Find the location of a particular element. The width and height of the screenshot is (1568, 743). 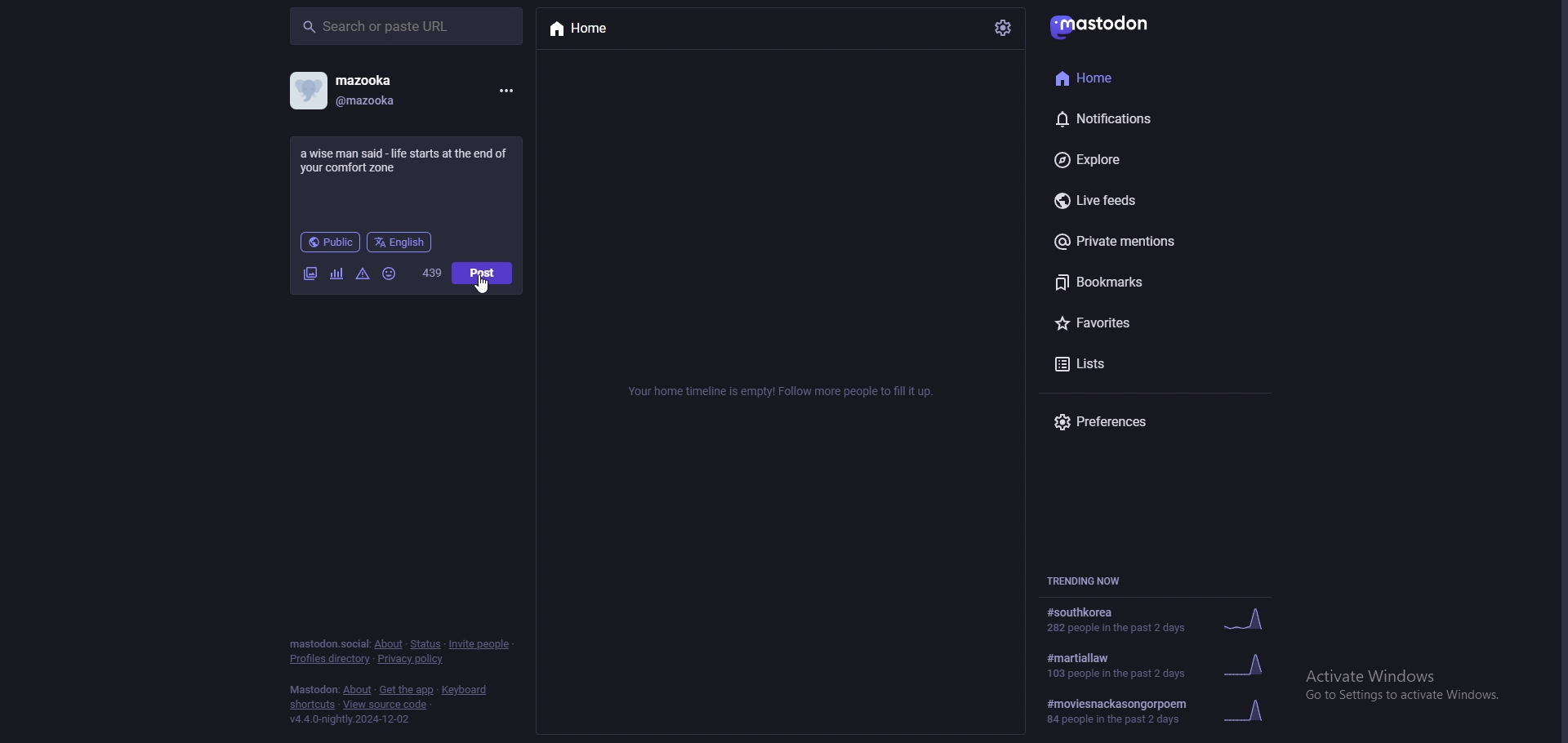

settings is located at coordinates (1003, 27).